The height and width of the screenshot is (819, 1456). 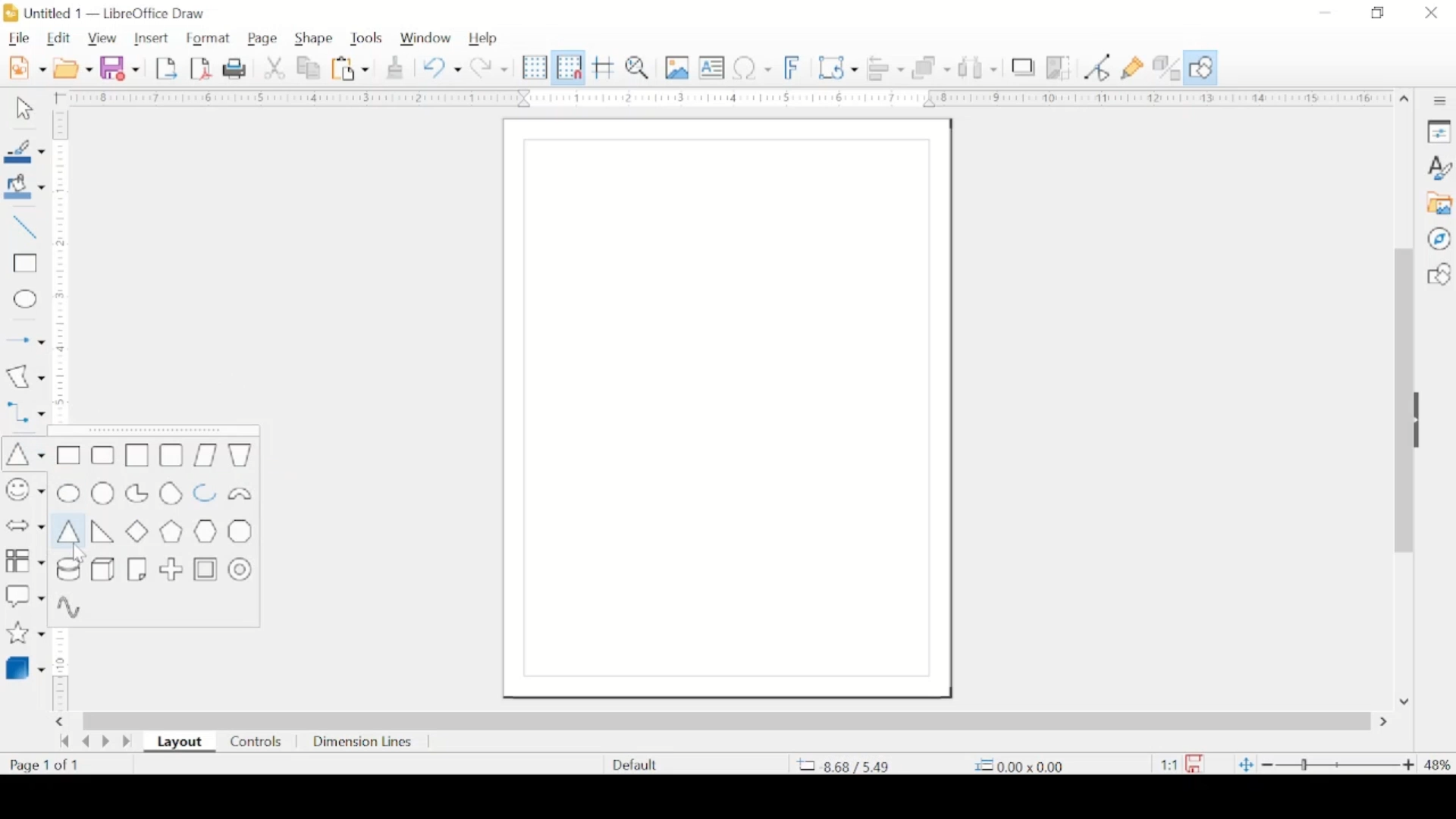 What do you see at coordinates (485, 39) in the screenshot?
I see `help` at bounding box center [485, 39].